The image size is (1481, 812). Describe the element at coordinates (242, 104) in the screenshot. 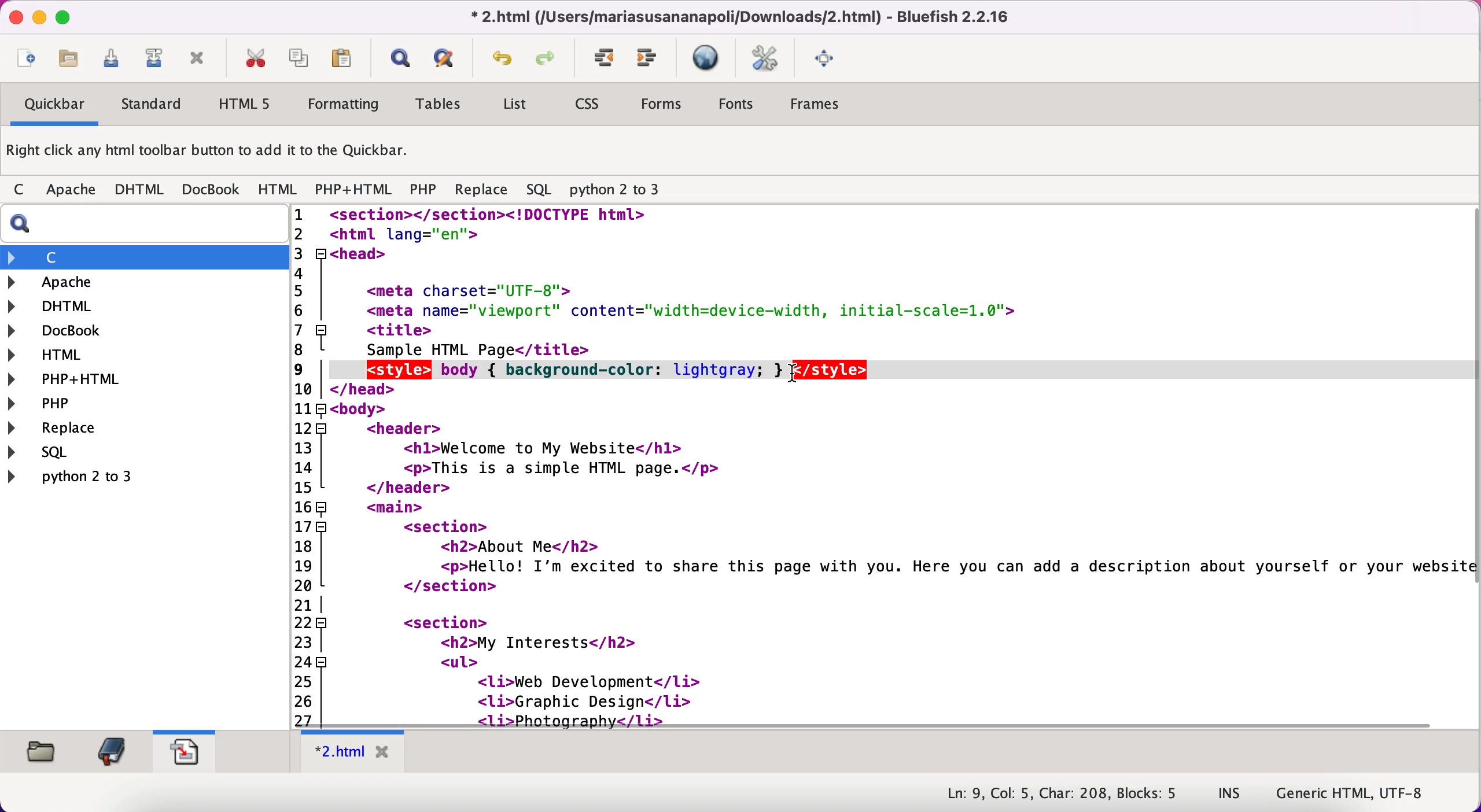

I see `html5` at that location.